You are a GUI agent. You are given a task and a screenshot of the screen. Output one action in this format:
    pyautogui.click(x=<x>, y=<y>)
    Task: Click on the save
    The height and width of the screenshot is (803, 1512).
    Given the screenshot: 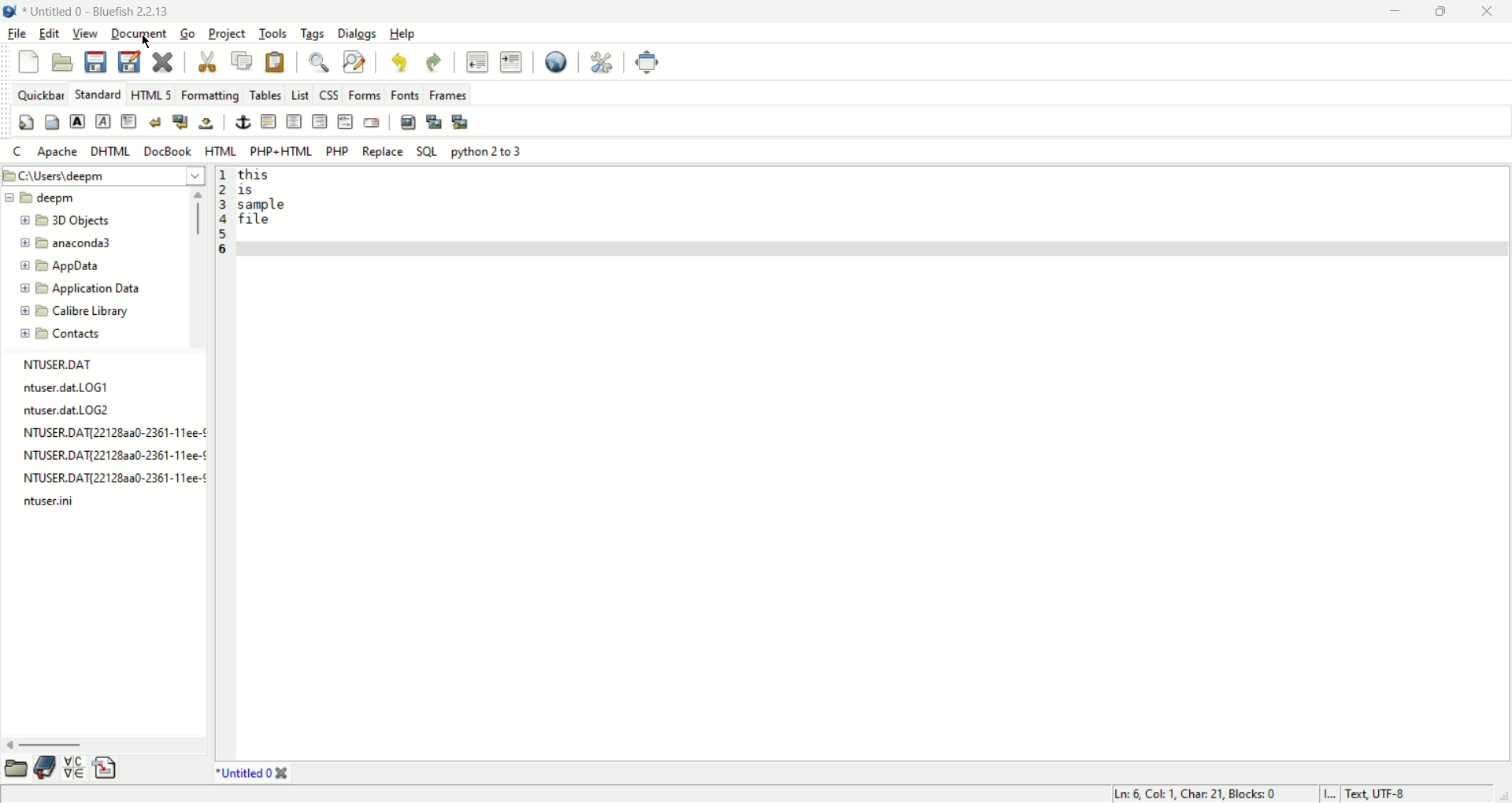 What is the action you would take?
    pyautogui.click(x=93, y=60)
    